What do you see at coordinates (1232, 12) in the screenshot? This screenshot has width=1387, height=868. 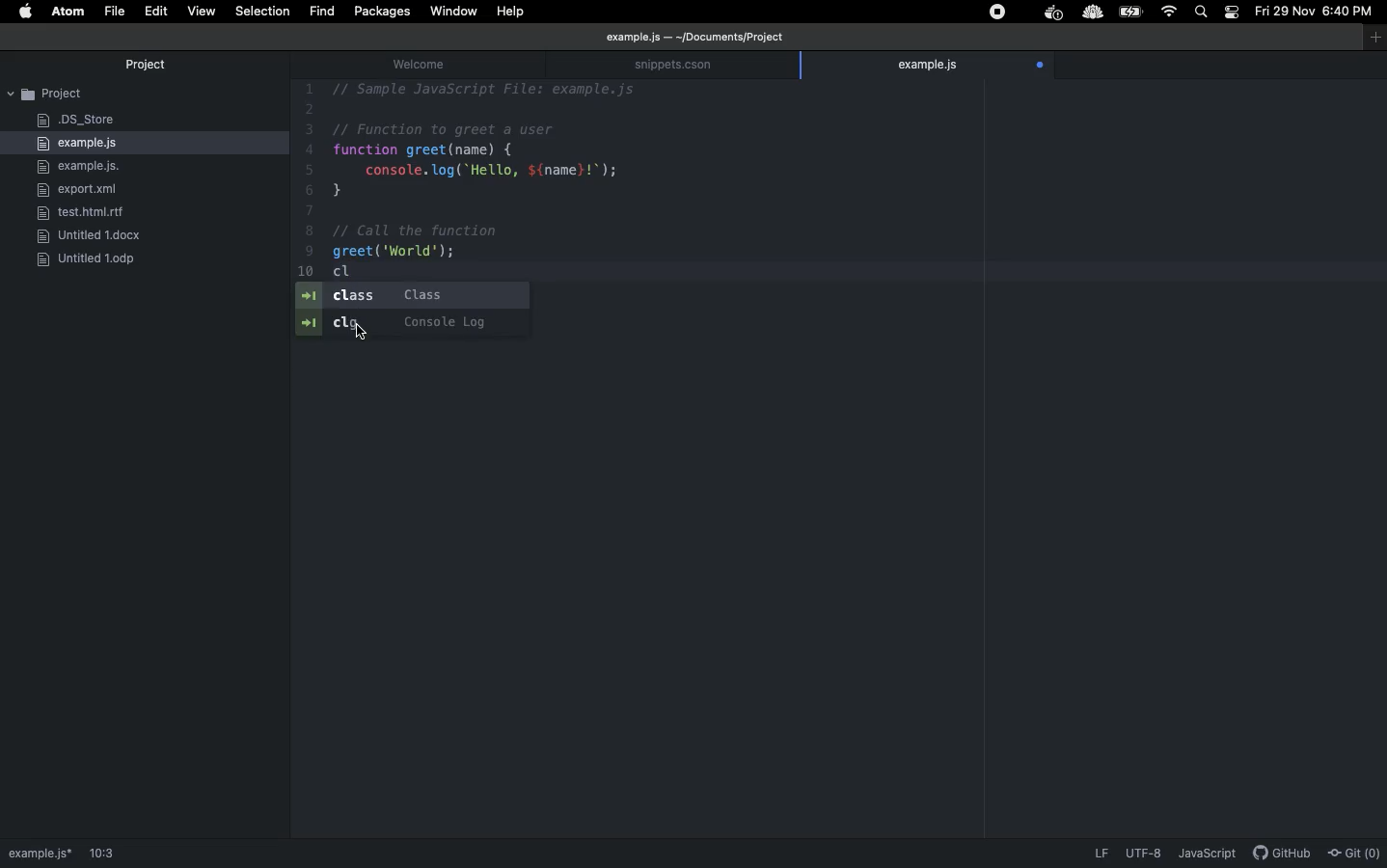 I see `Notification` at bounding box center [1232, 12].